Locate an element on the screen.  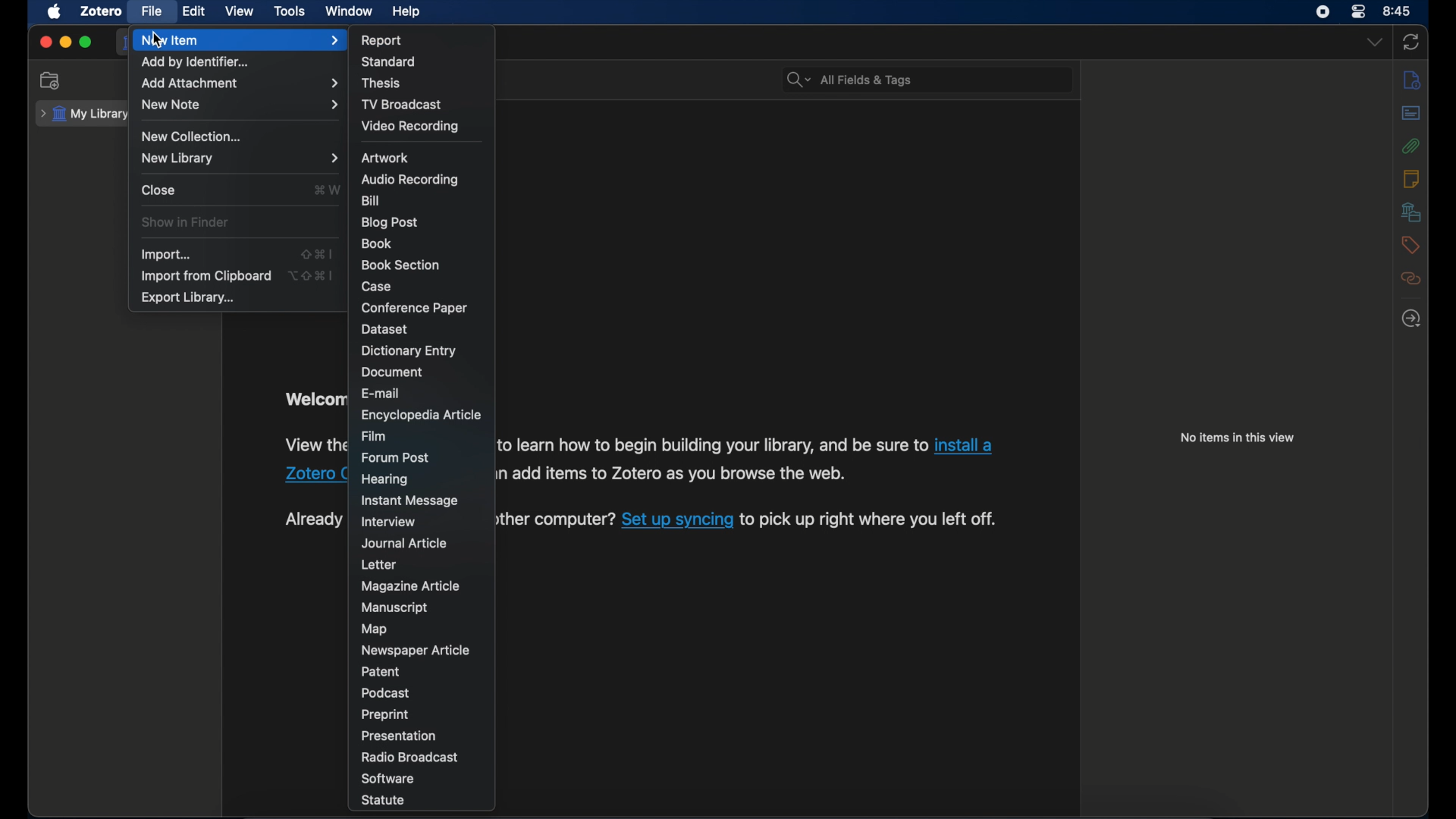
view is located at coordinates (240, 11).